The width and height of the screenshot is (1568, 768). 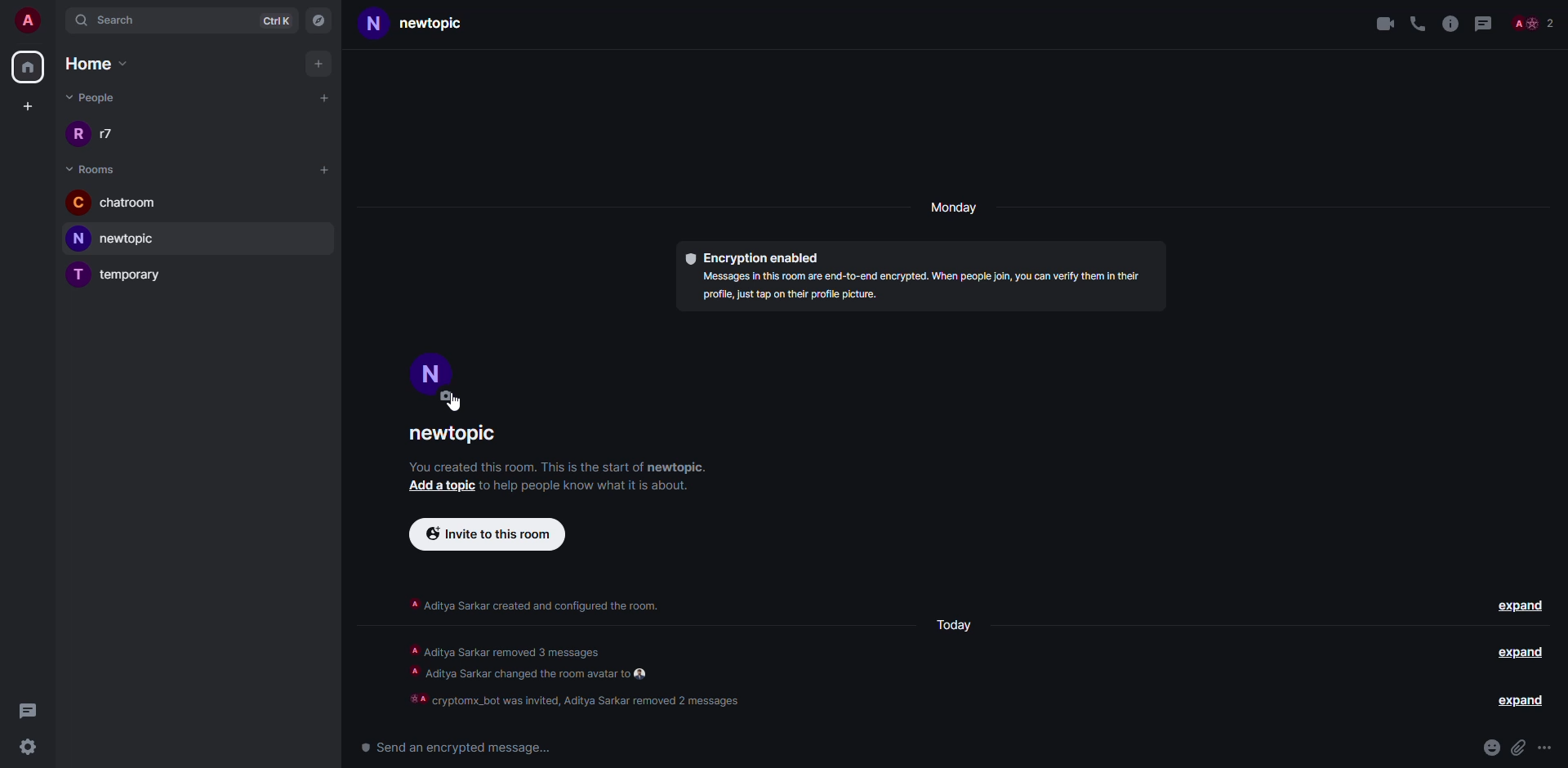 What do you see at coordinates (280, 21) in the screenshot?
I see `ctrlK` at bounding box center [280, 21].